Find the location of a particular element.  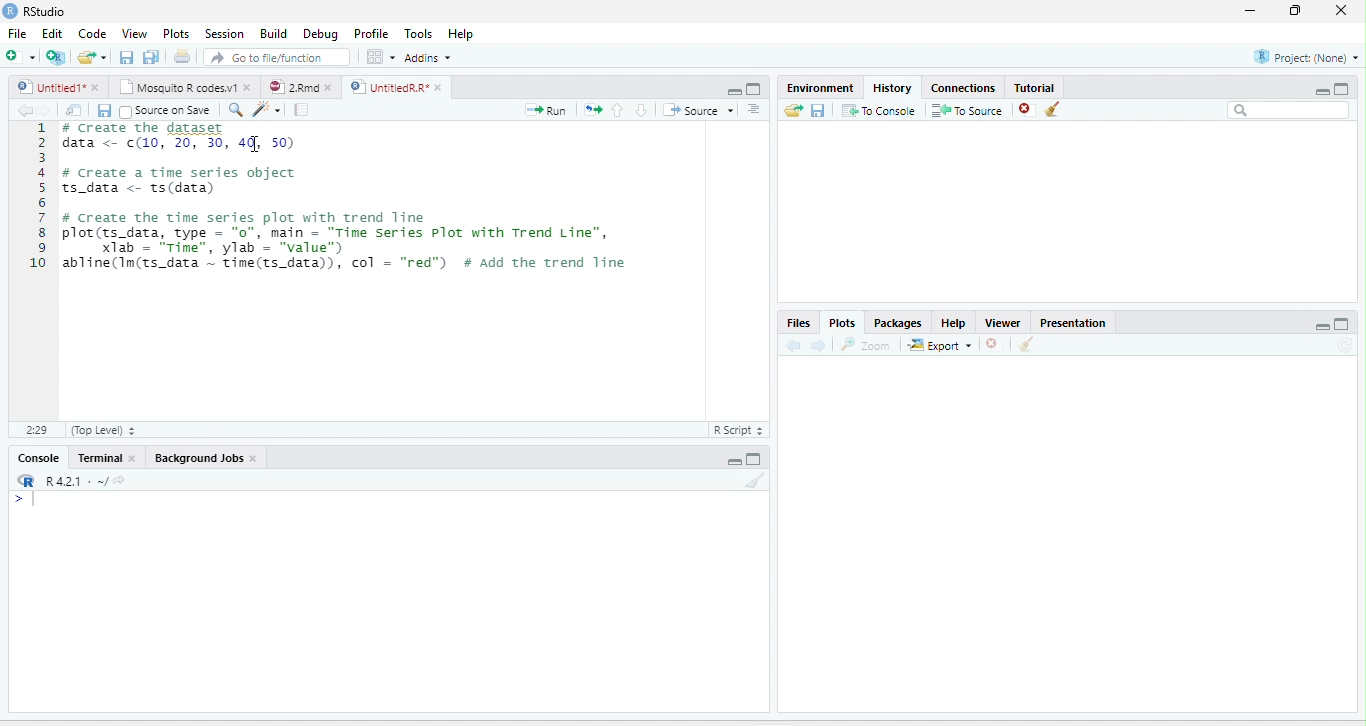

Project: (None) is located at coordinates (1304, 57).